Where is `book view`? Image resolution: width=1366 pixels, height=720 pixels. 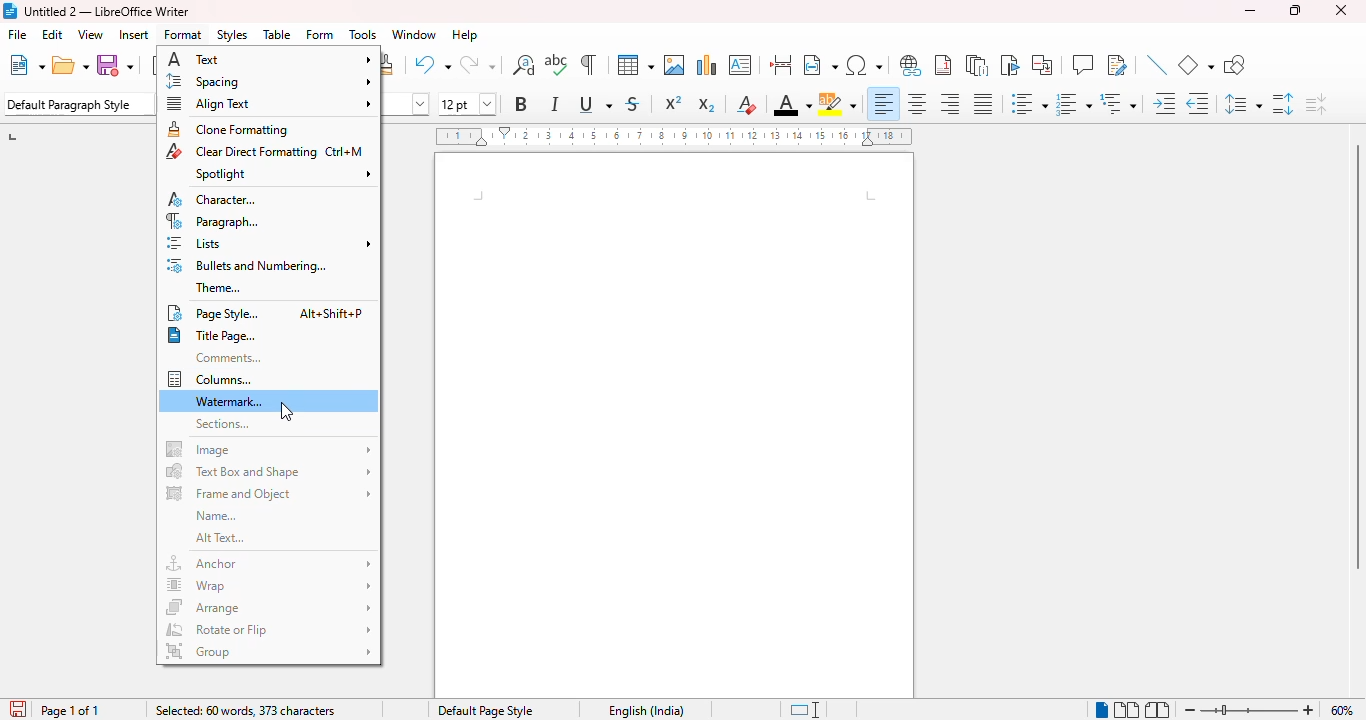
book view is located at coordinates (1157, 710).